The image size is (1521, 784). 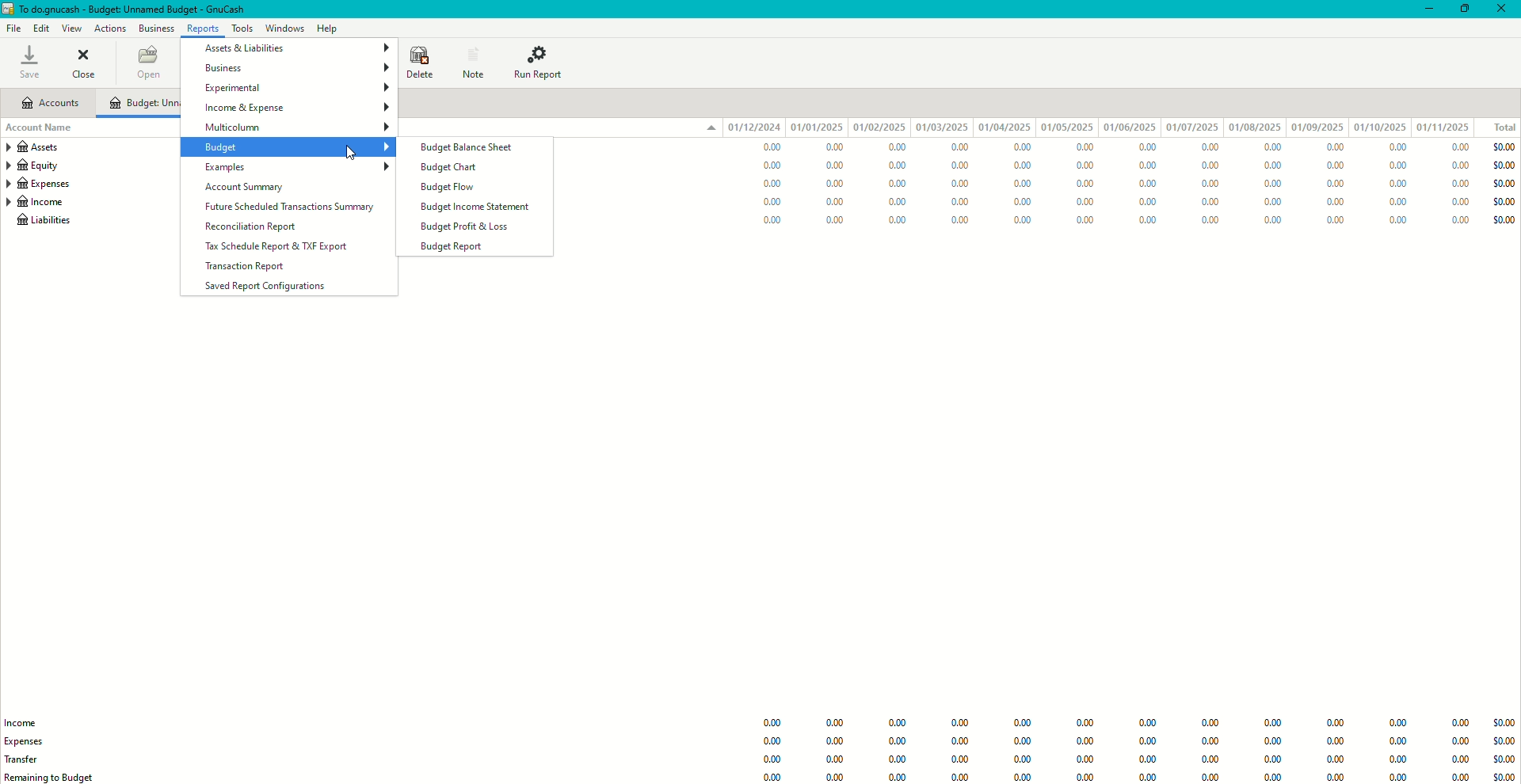 What do you see at coordinates (1395, 724) in the screenshot?
I see `0.00` at bounding box center [1395, 724].